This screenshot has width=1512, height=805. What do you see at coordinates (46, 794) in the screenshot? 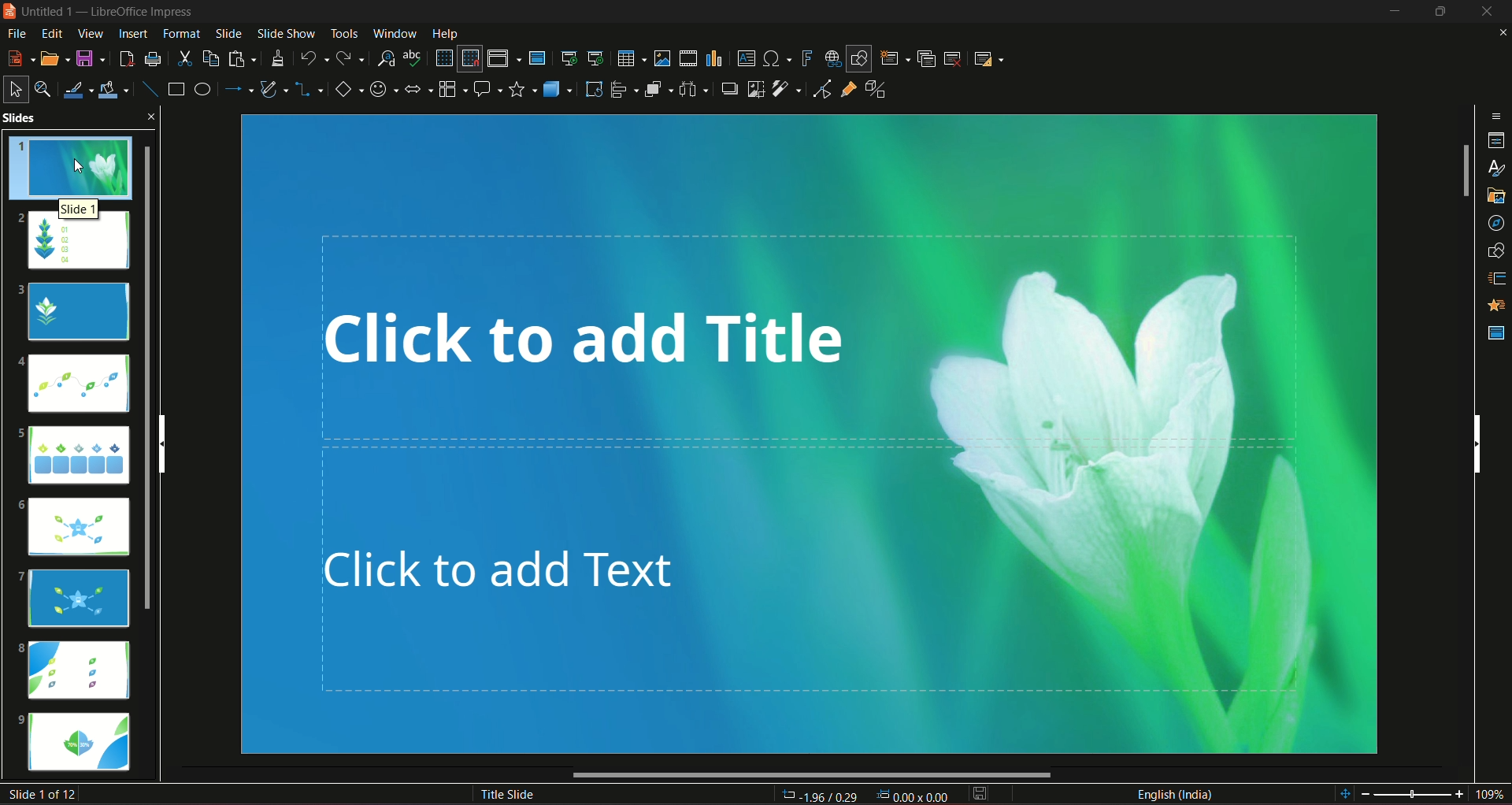
I see `slide number` at bounding box center [46, 794].